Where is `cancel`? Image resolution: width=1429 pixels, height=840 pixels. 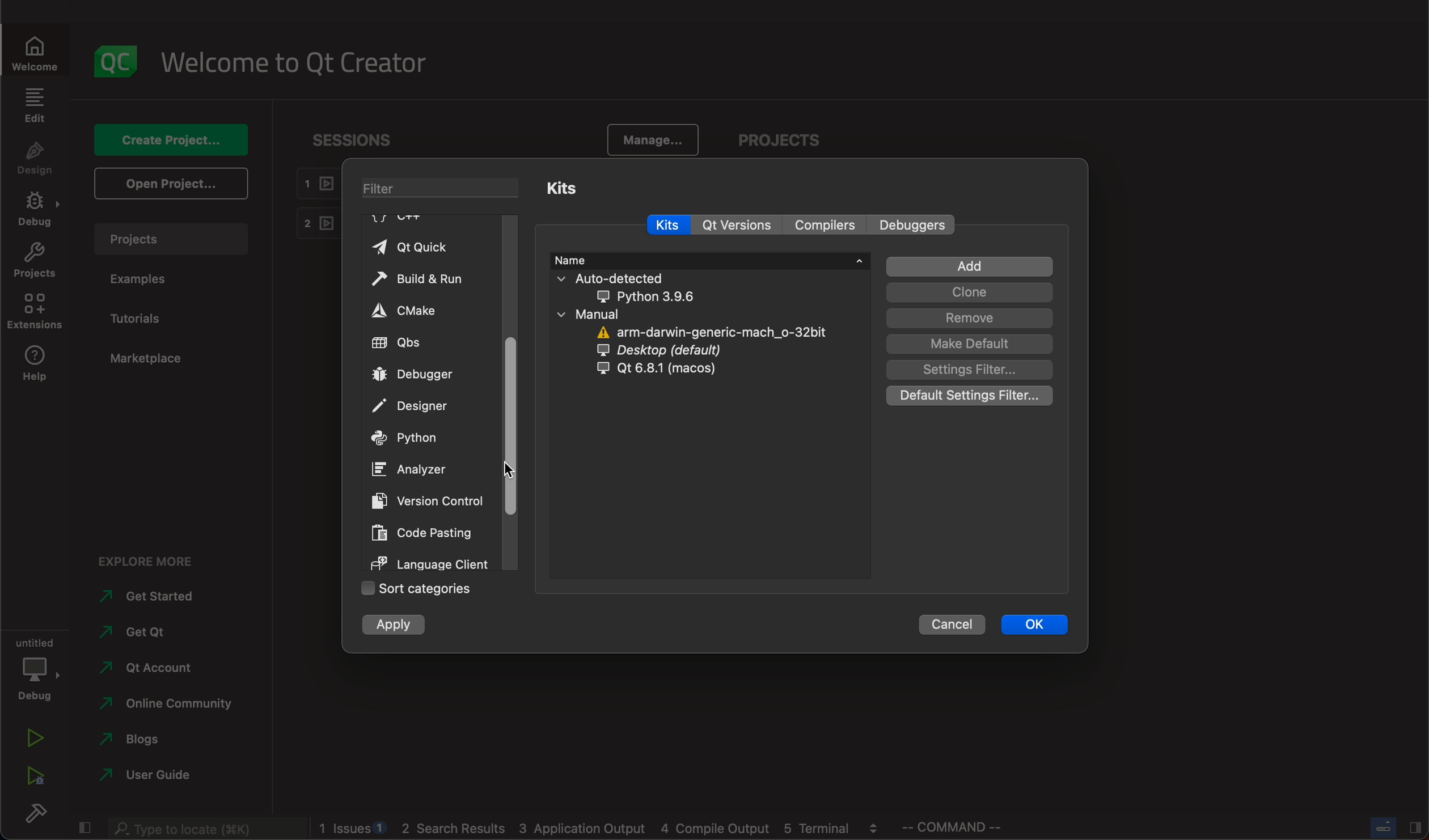 cancel is located at coordinates (949, 623).